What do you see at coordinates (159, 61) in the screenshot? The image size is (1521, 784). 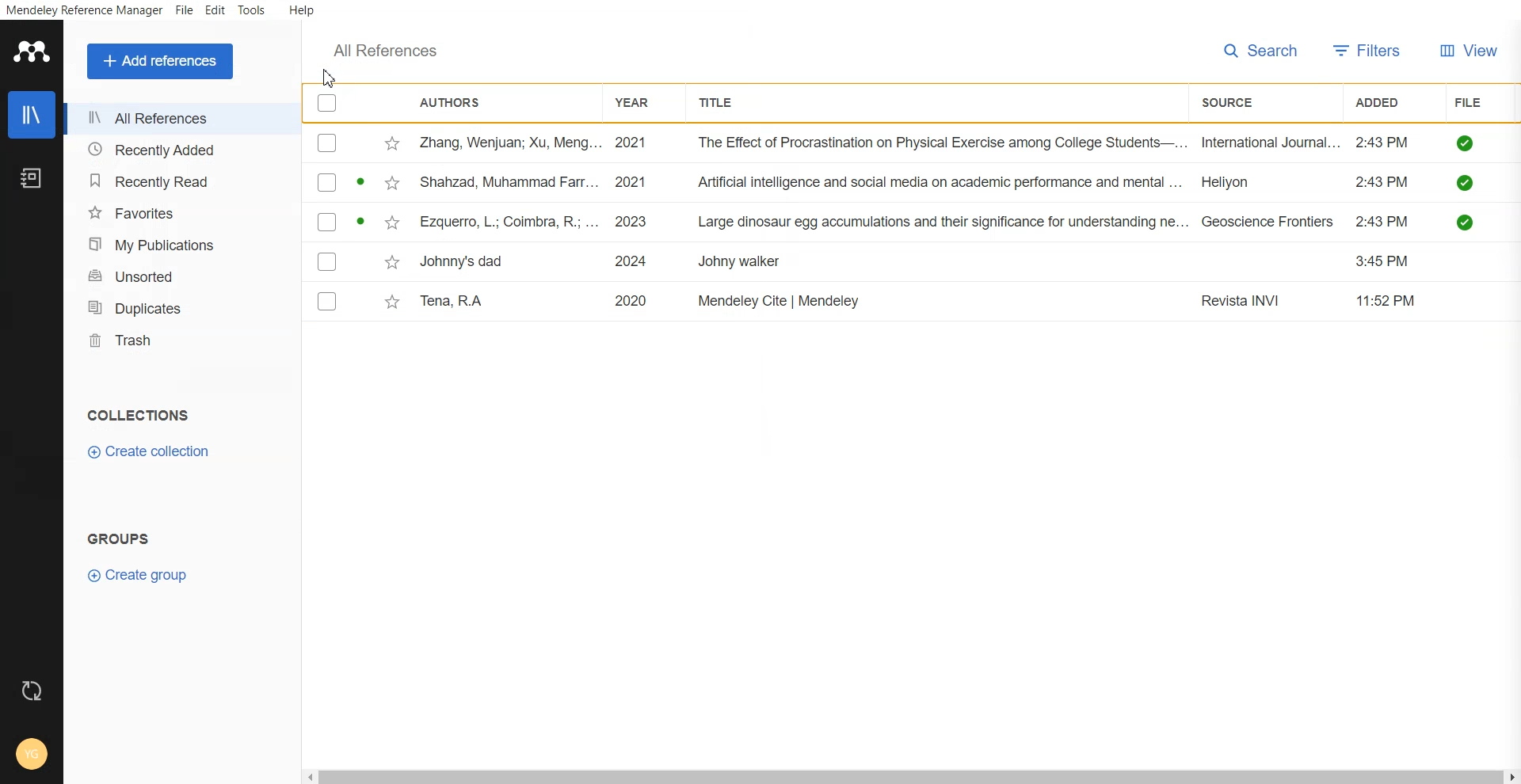 I see `Add references` at bounding box center [159, 61].